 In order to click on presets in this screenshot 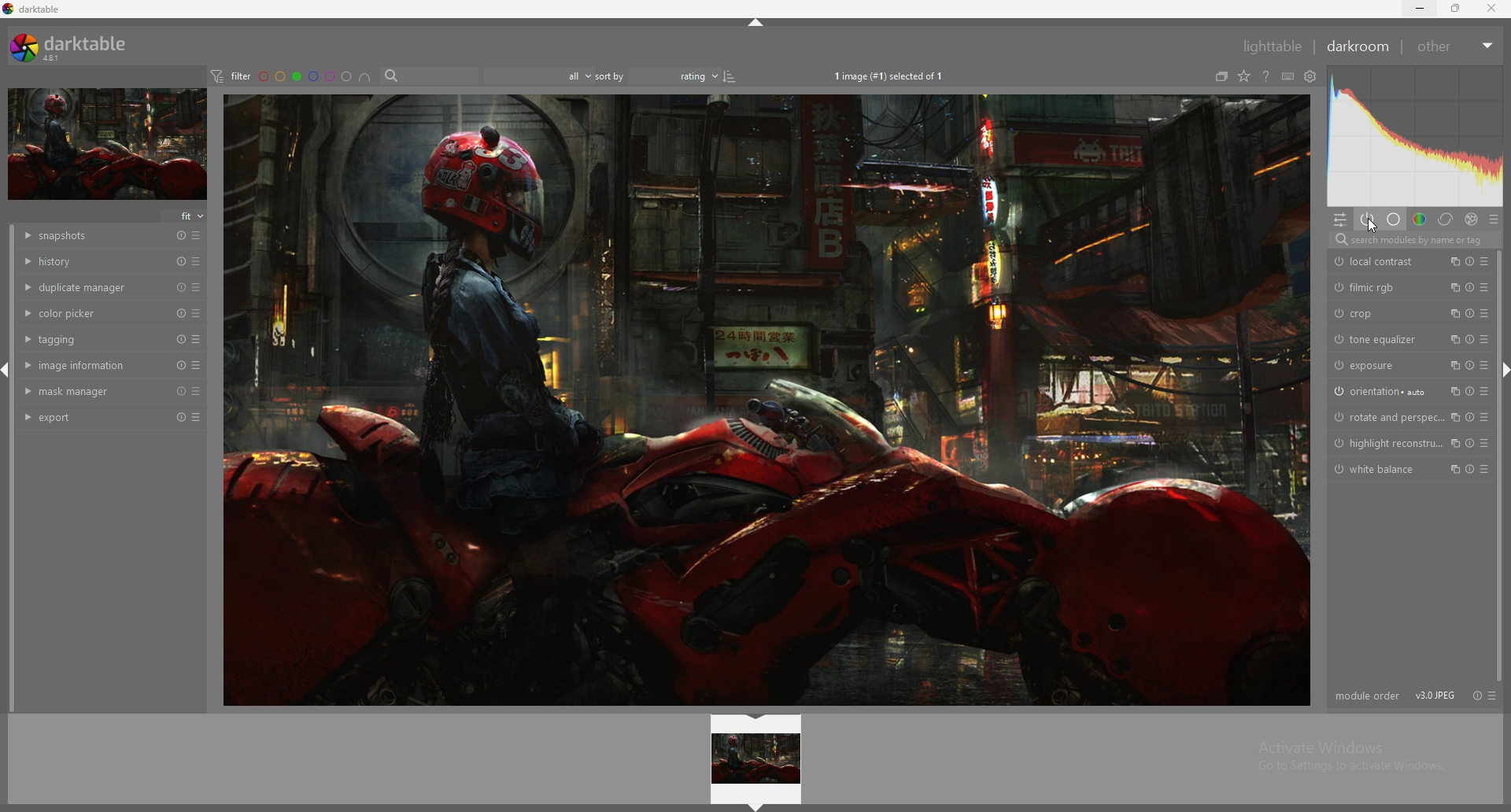, I will do `click(1484, 262)`.